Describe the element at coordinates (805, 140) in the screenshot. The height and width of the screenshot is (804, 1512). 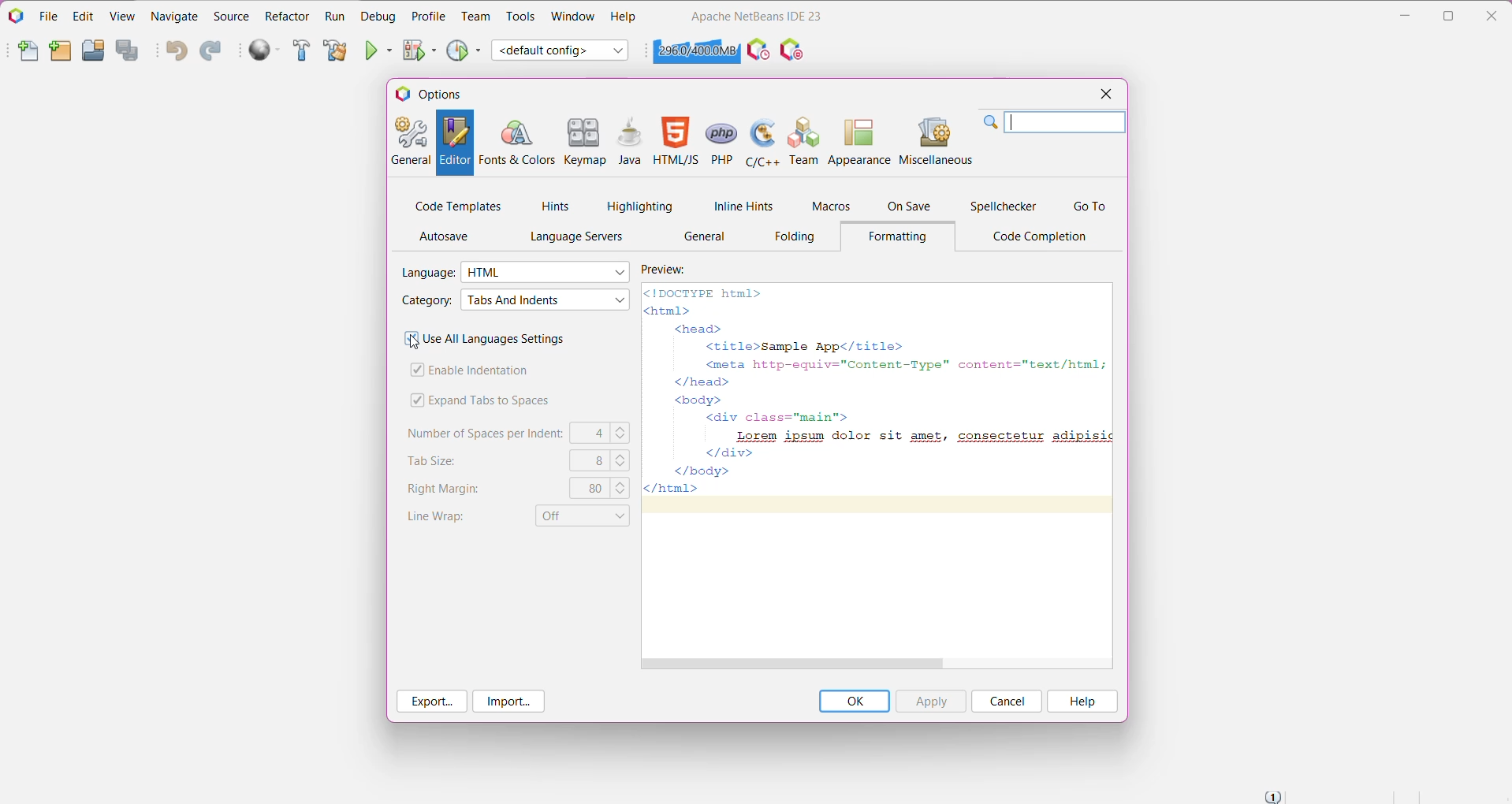
I see `Team` at that location.